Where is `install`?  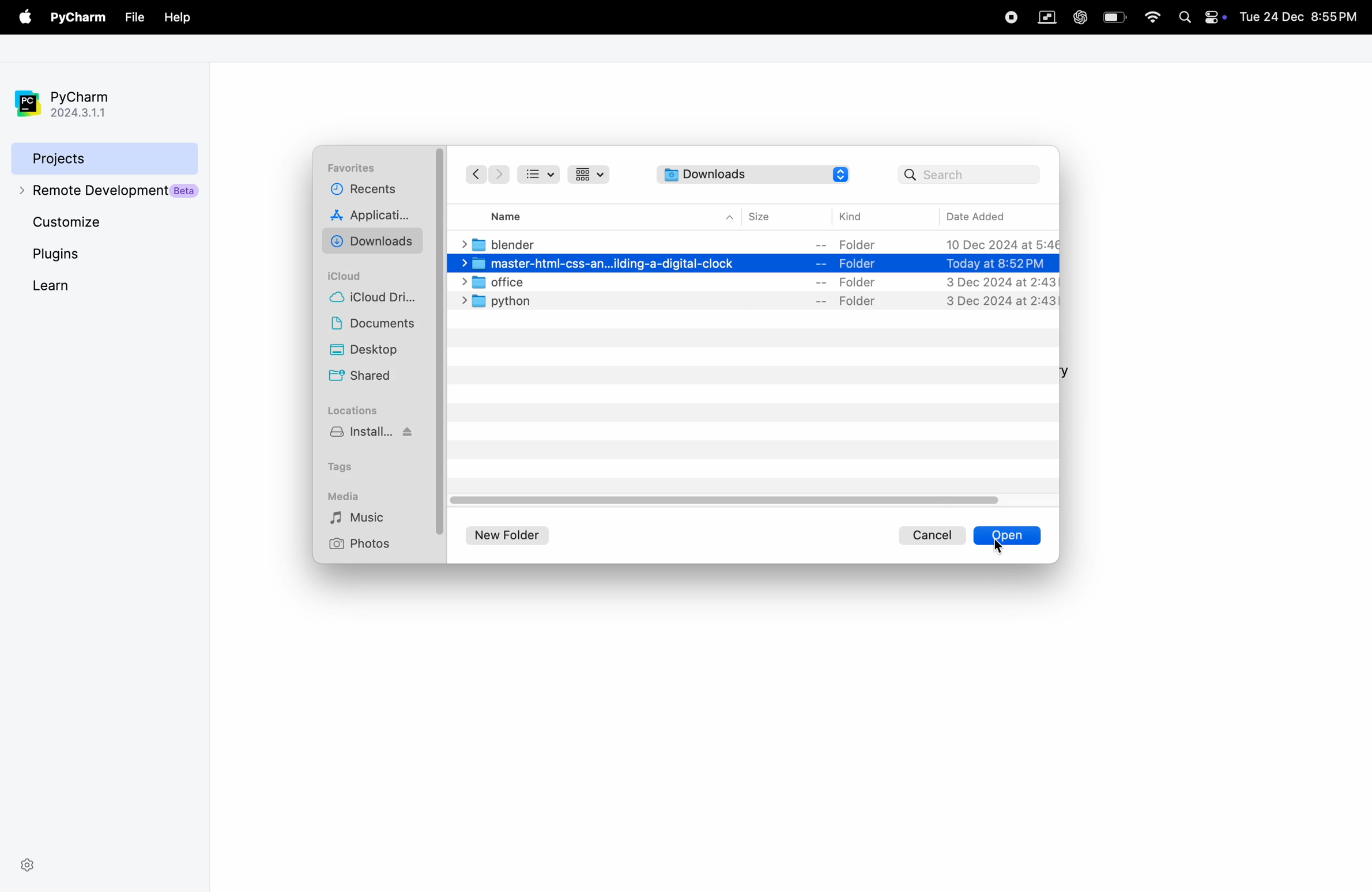 install is located at coordinates (376, 437).